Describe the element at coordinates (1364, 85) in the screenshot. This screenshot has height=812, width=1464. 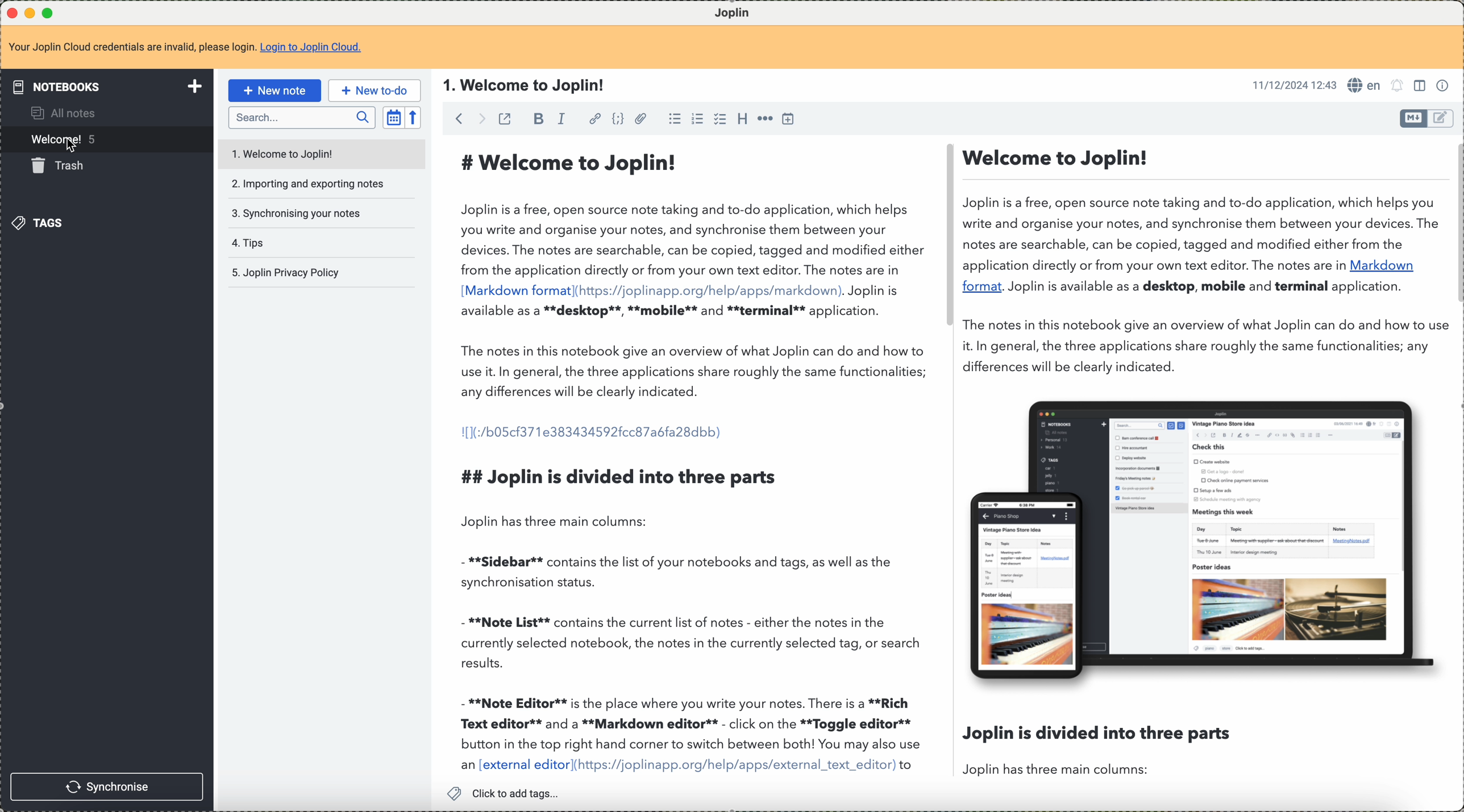
I see `language` at that location.